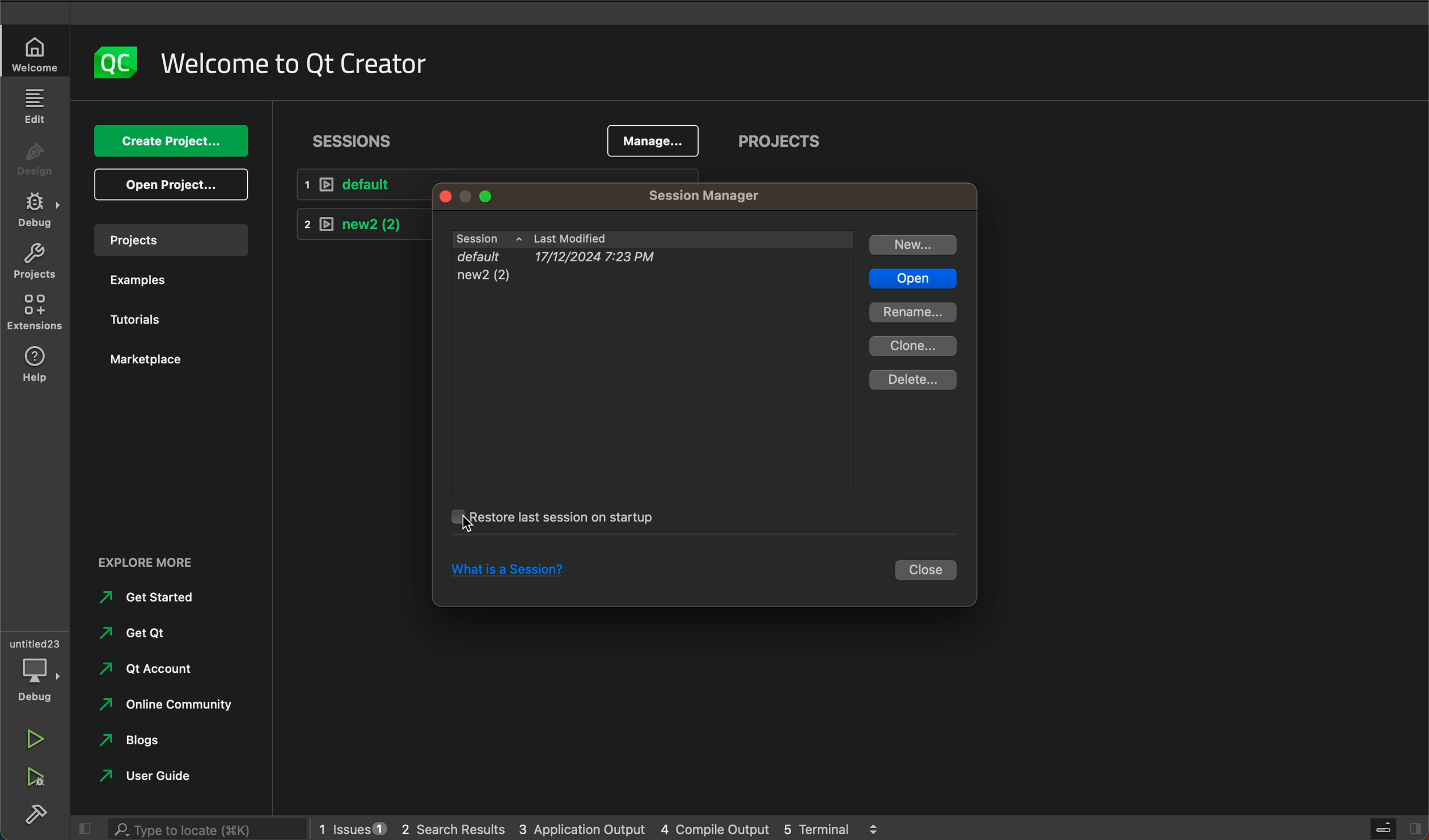 The height and width of the screenshot is (840, 1429). I want to click on manager, so click(711, 197).